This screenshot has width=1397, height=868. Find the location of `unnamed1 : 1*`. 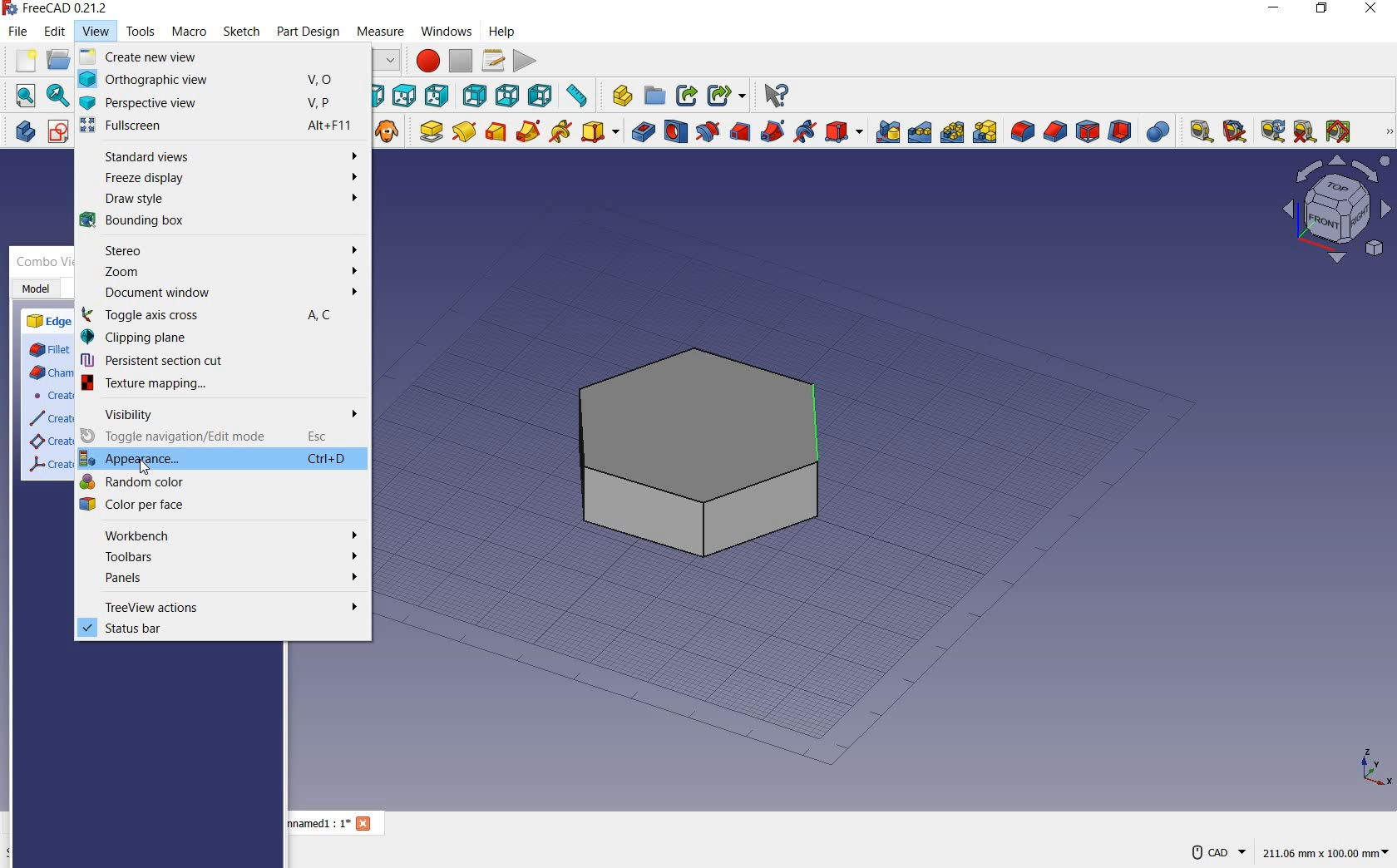

unnamed1 : 1* is located at coordinates (318, 822).